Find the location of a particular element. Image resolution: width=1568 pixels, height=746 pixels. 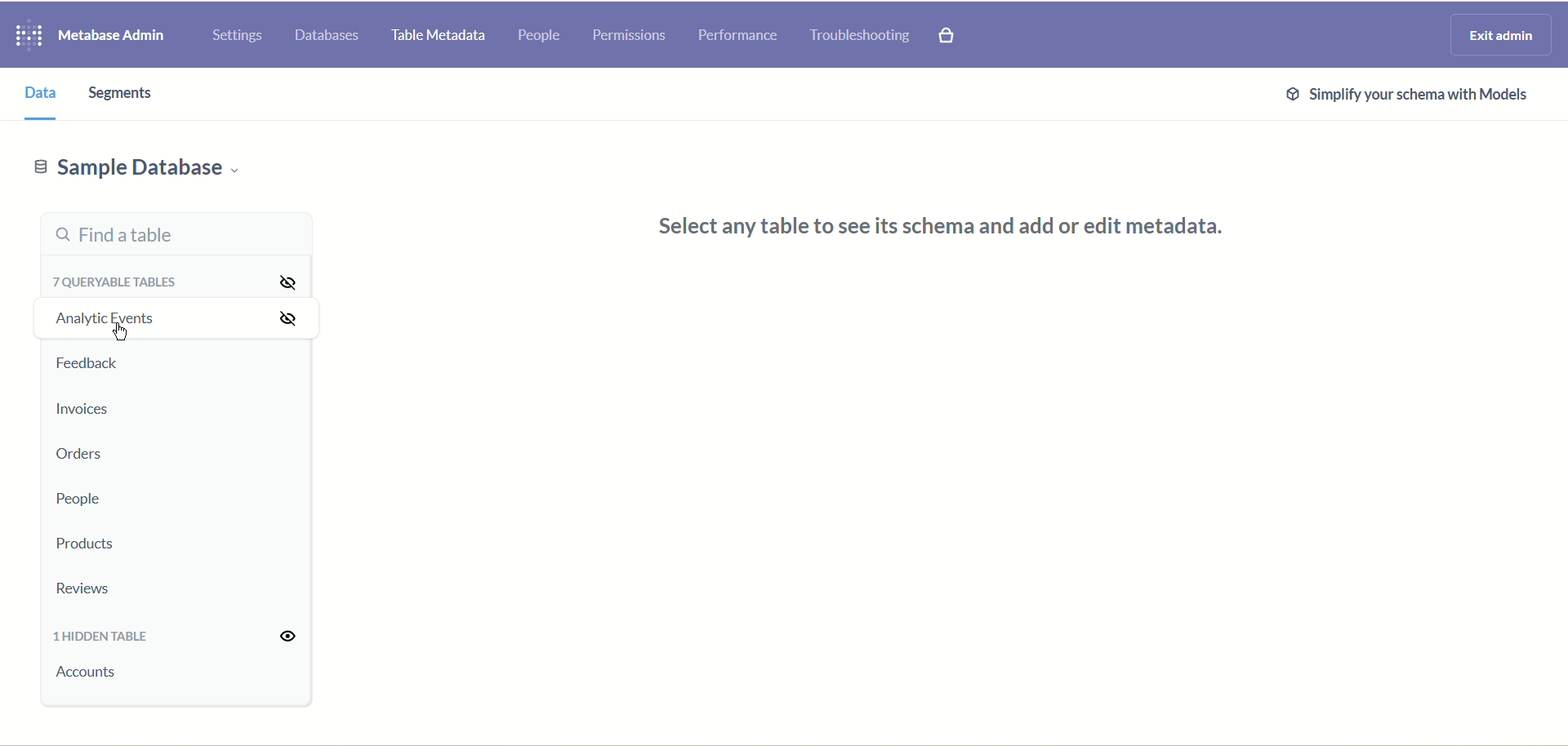

cursor is located at coordinates (124, 333).